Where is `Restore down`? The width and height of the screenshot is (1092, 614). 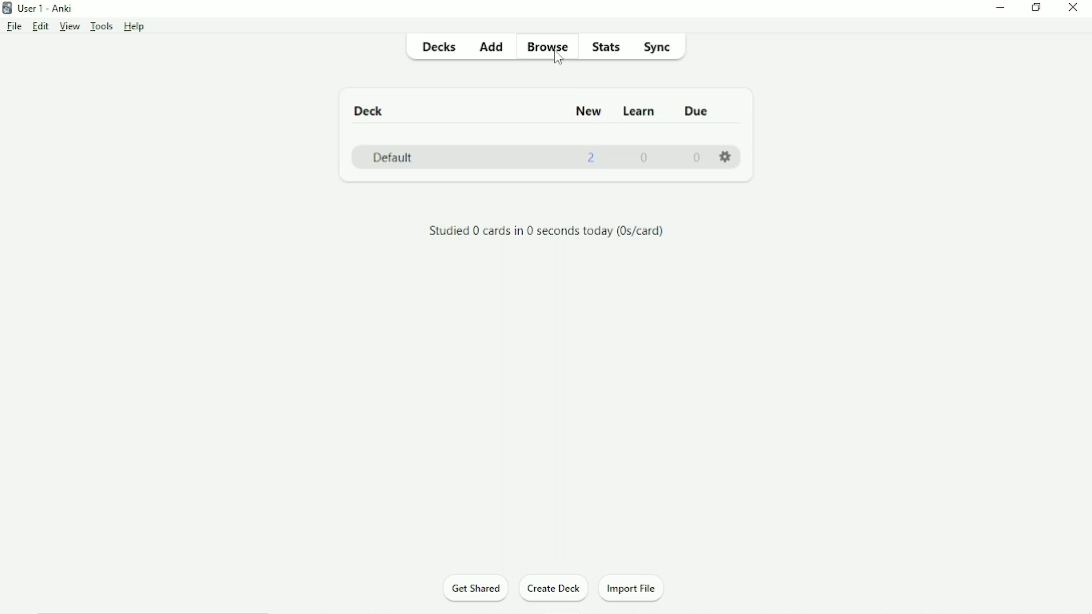 Restore down is located at coordinates (1039, 8).